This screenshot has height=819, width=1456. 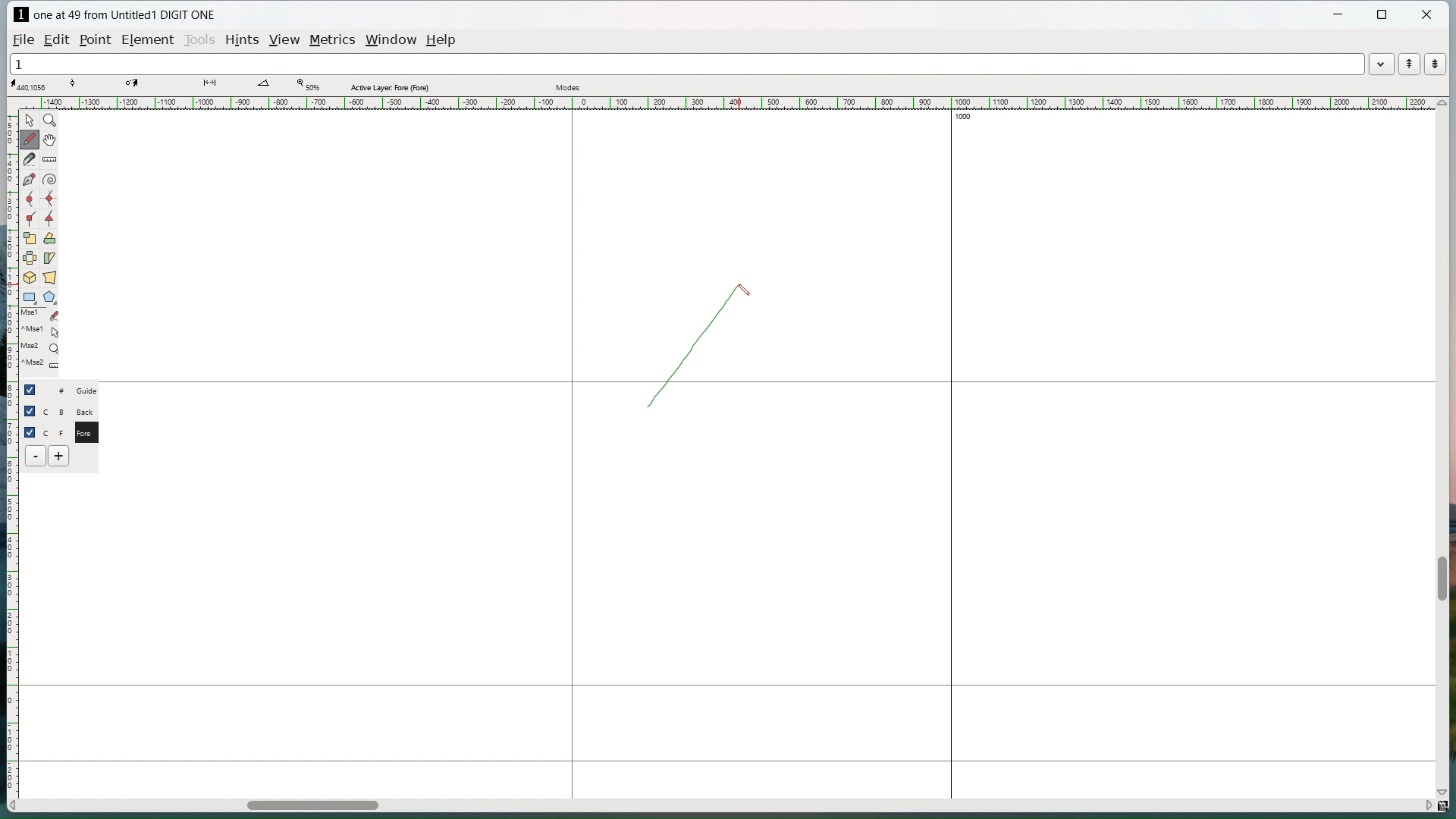 What do you see at coordinates (72, 390) in the screenshot?
I see `# Guide` at bounding box center [72, 390].